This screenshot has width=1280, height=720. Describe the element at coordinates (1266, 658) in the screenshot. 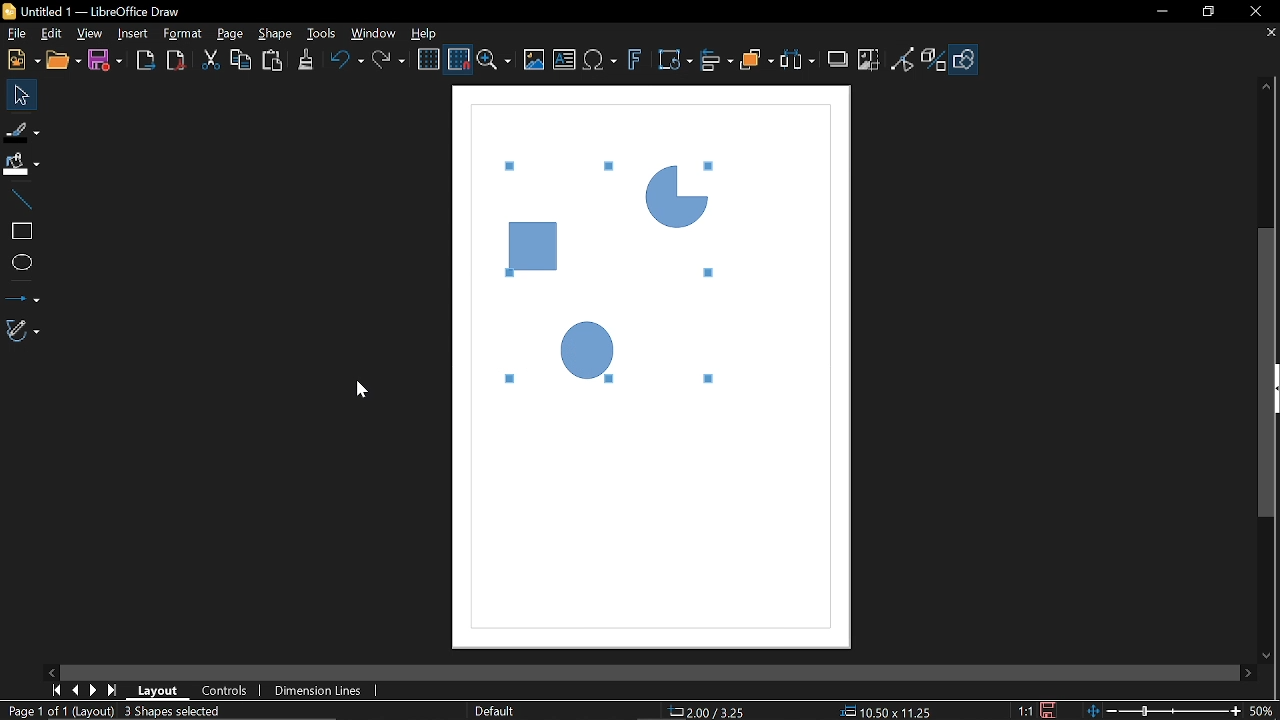

I see `Move down` at that location.